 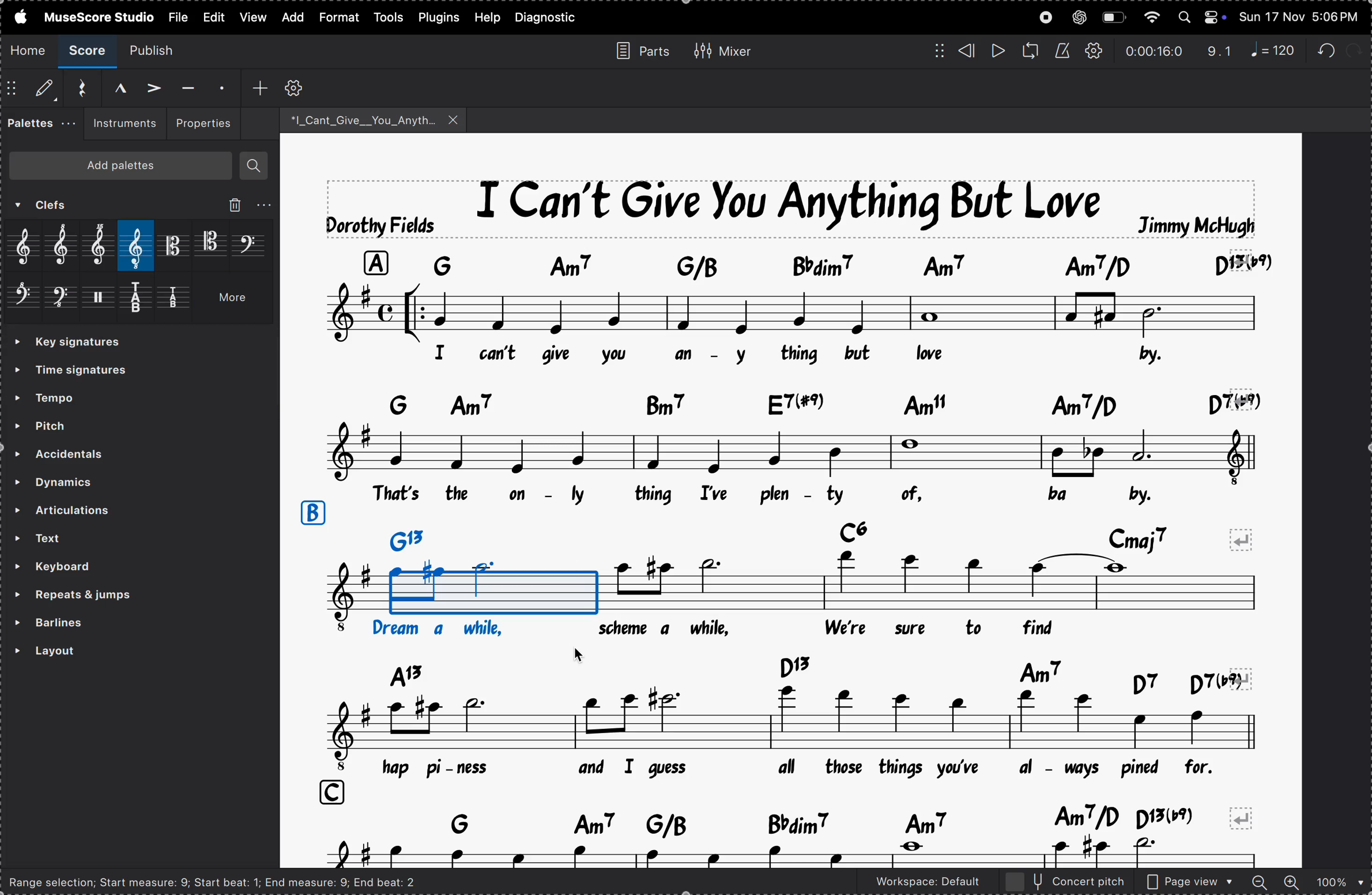 What do you see at coordinates (327, 789) in the screenshot?
I see `row` at bounding box center [327, 789].